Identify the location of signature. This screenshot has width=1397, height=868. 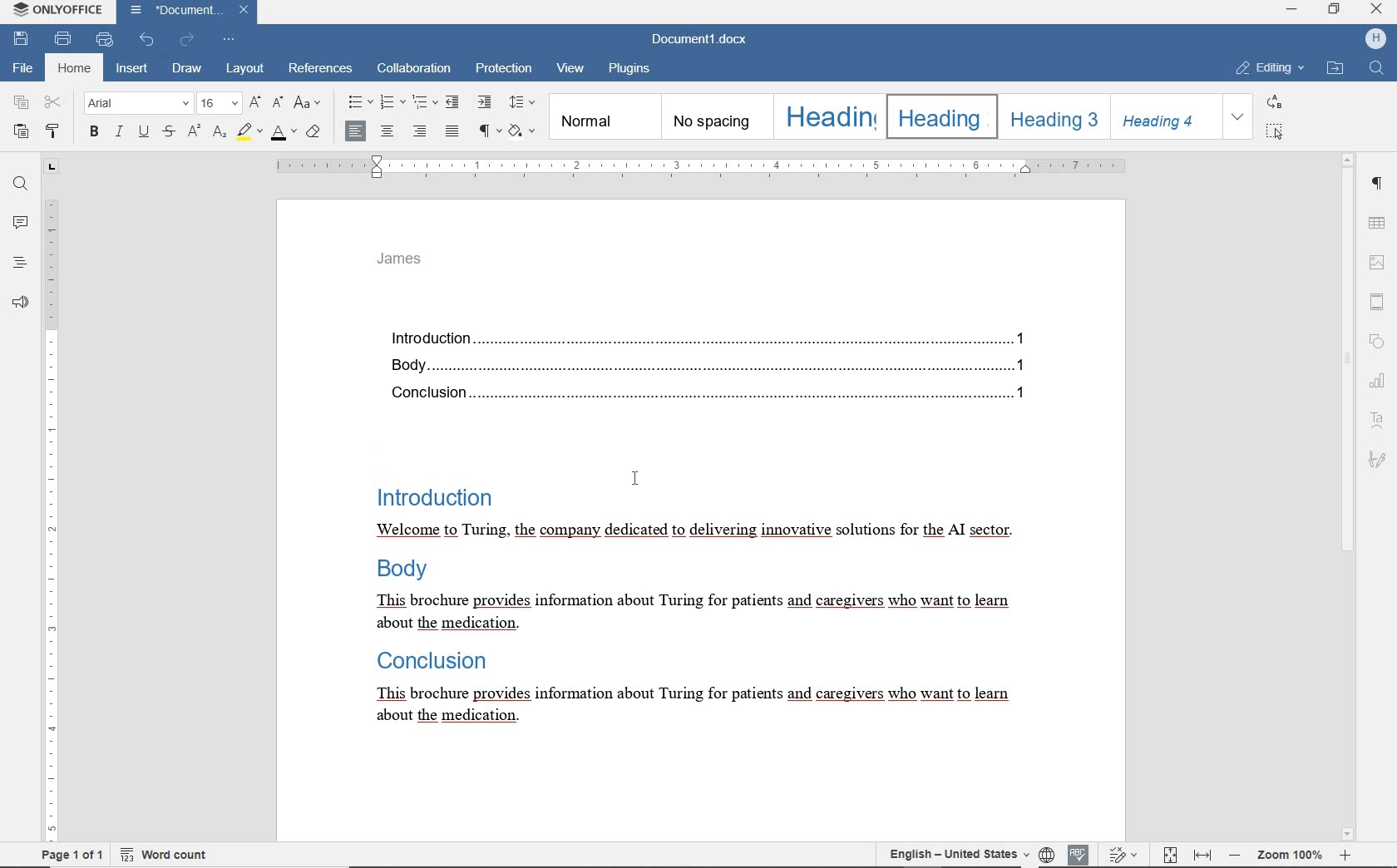
(1376, 458).